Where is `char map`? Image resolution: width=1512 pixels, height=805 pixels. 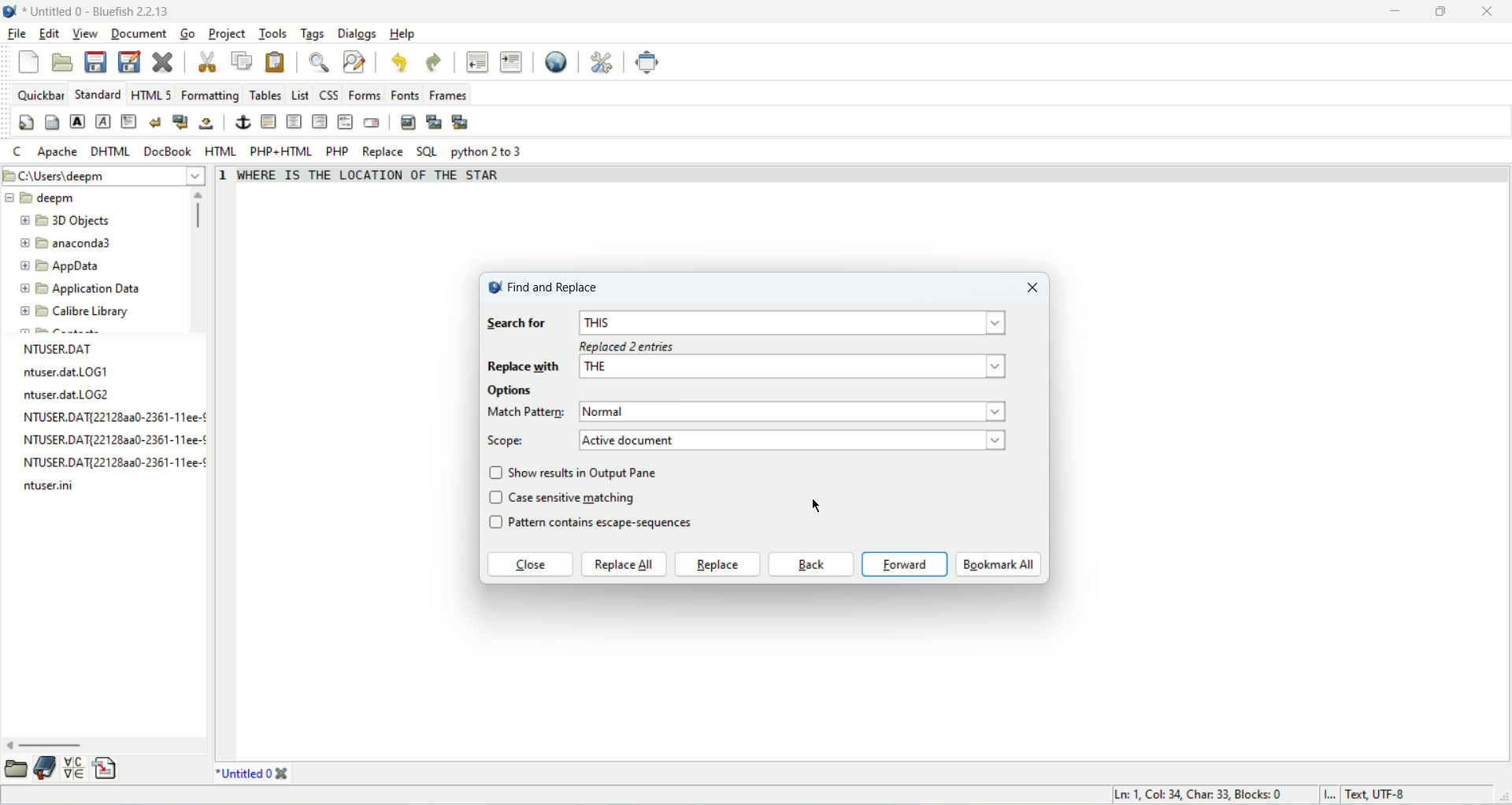
char map is located at coordinates (74, 768).